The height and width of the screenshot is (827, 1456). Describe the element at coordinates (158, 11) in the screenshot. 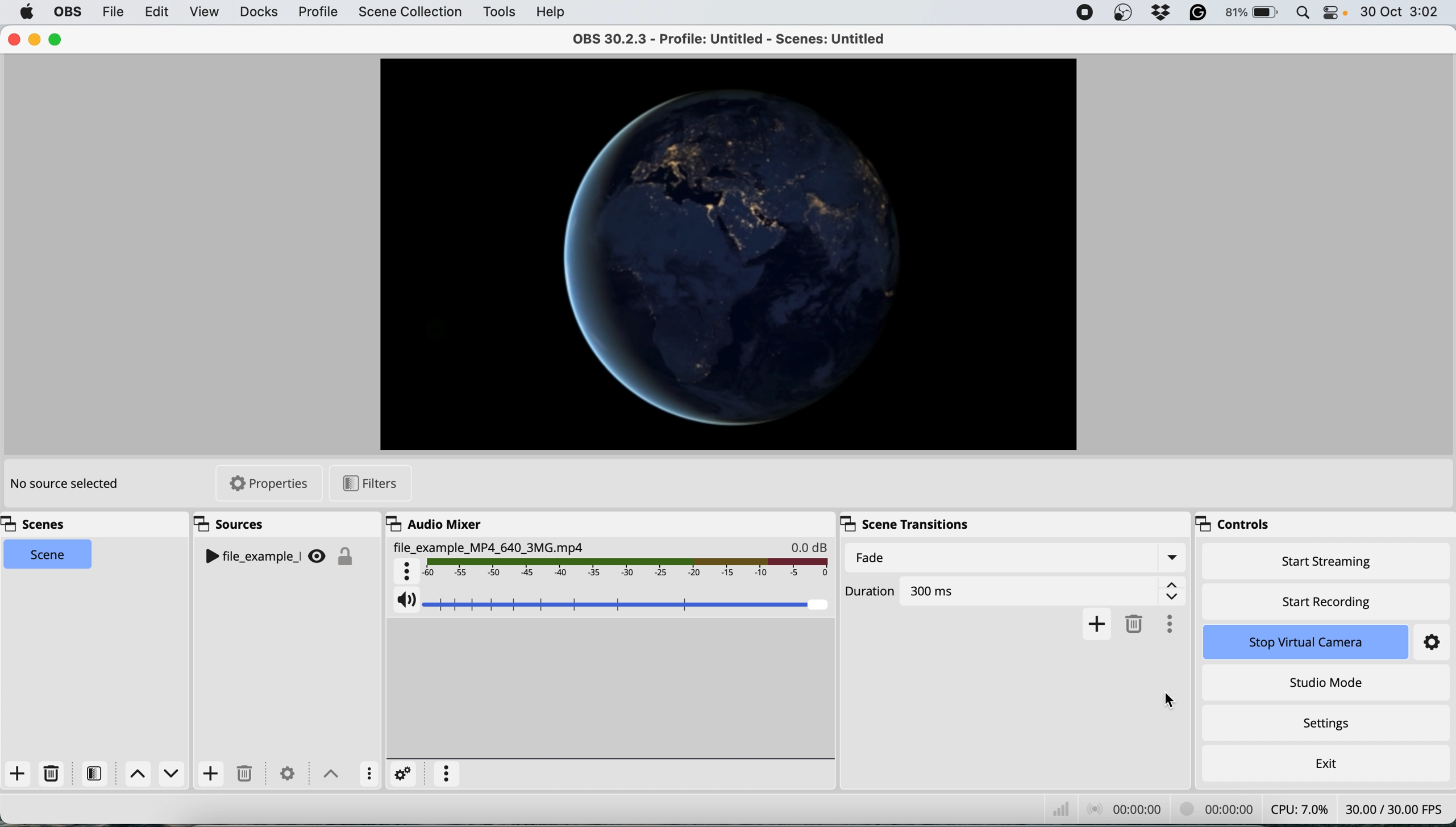

I see `edit` at that location.